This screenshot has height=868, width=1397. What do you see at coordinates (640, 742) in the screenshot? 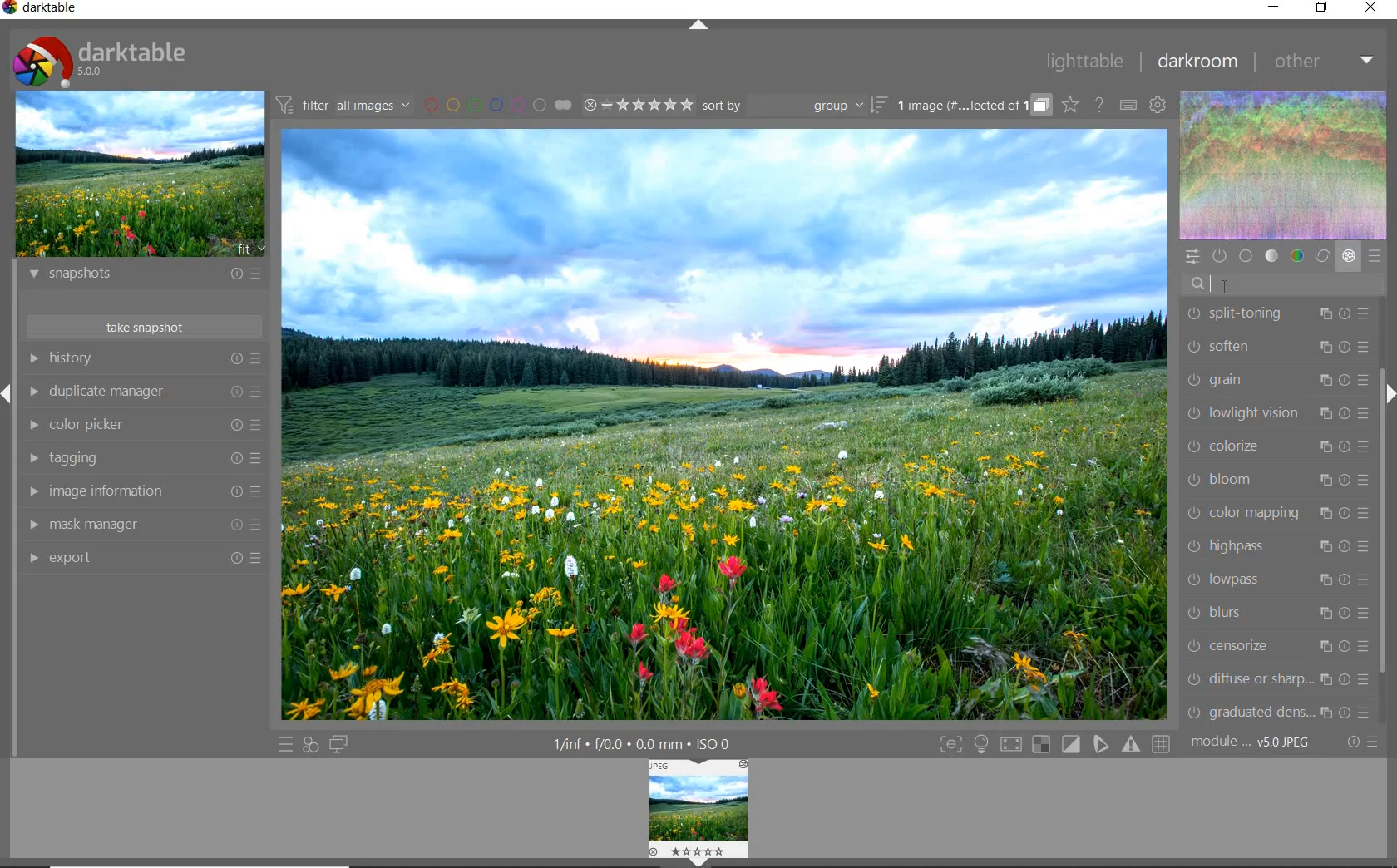
I see `1/inf*f/0.0 mm*ISO 0` at bounding box center [640, 742].